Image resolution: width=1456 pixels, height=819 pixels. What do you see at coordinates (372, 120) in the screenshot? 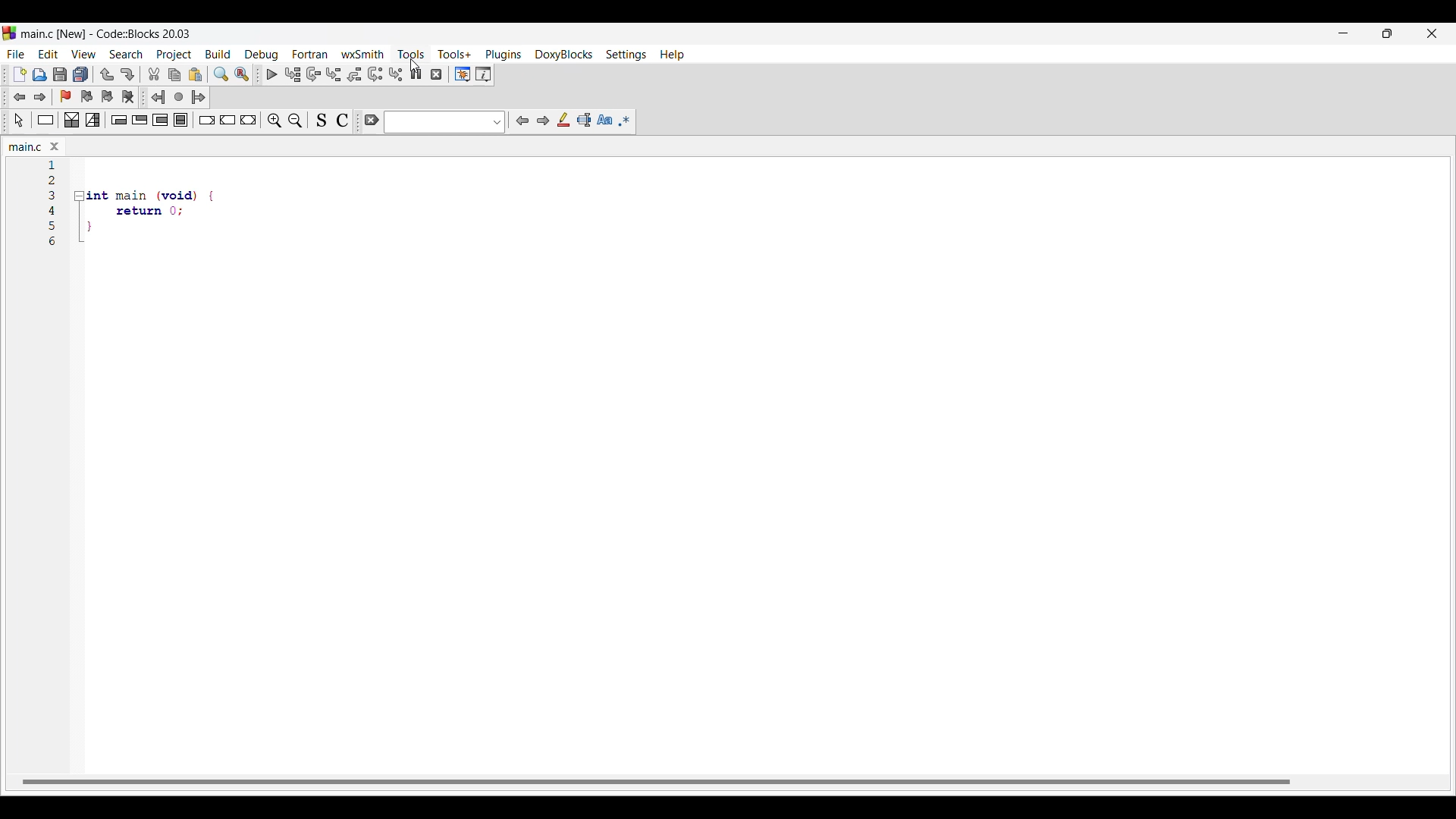
I see `Clear` at bounding box center [372, 120].